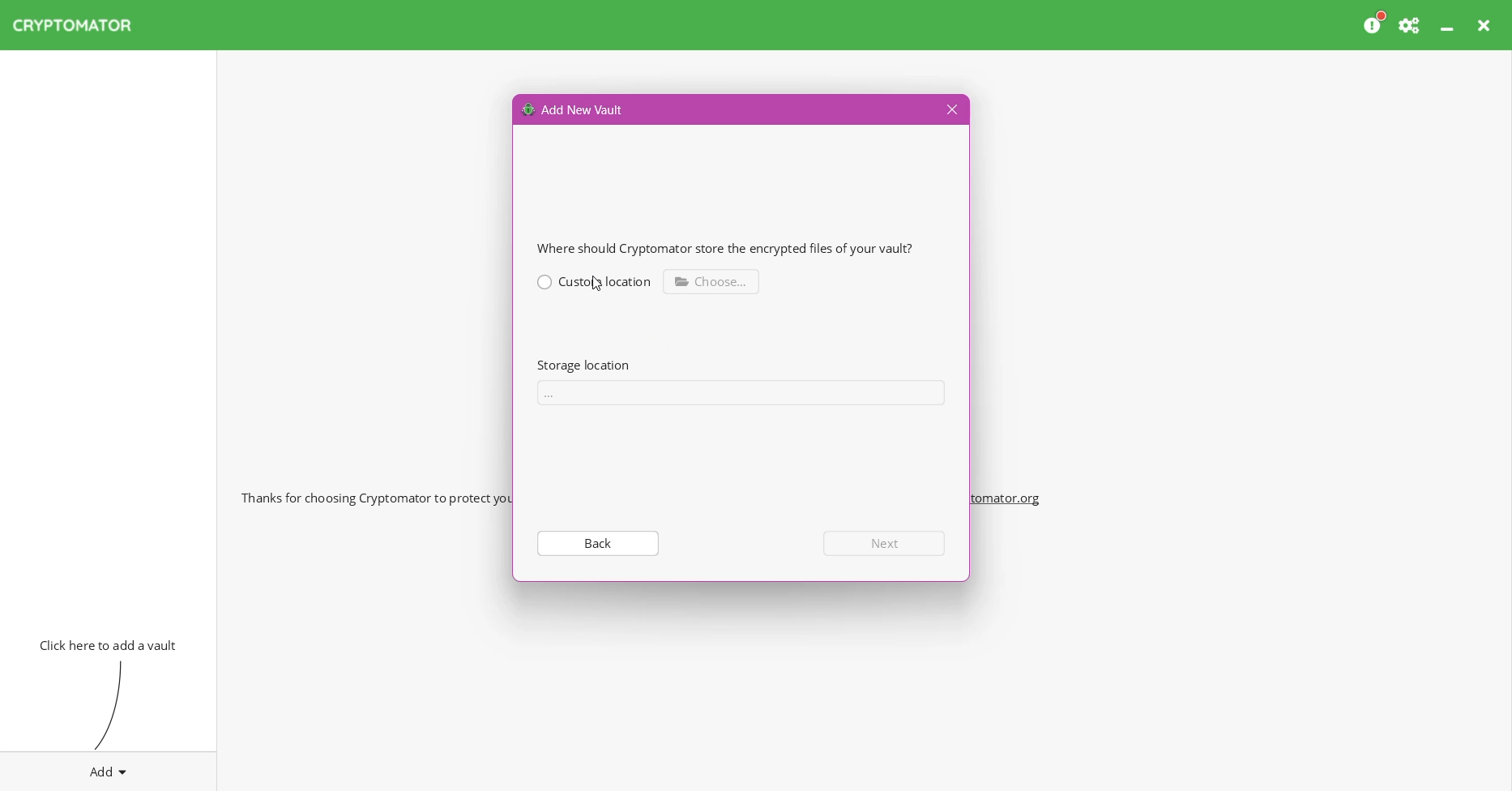  What do you see at coordinates (1411, 25) in the screenshot?
I see `Preferences` at bounding box center [1411, 25].